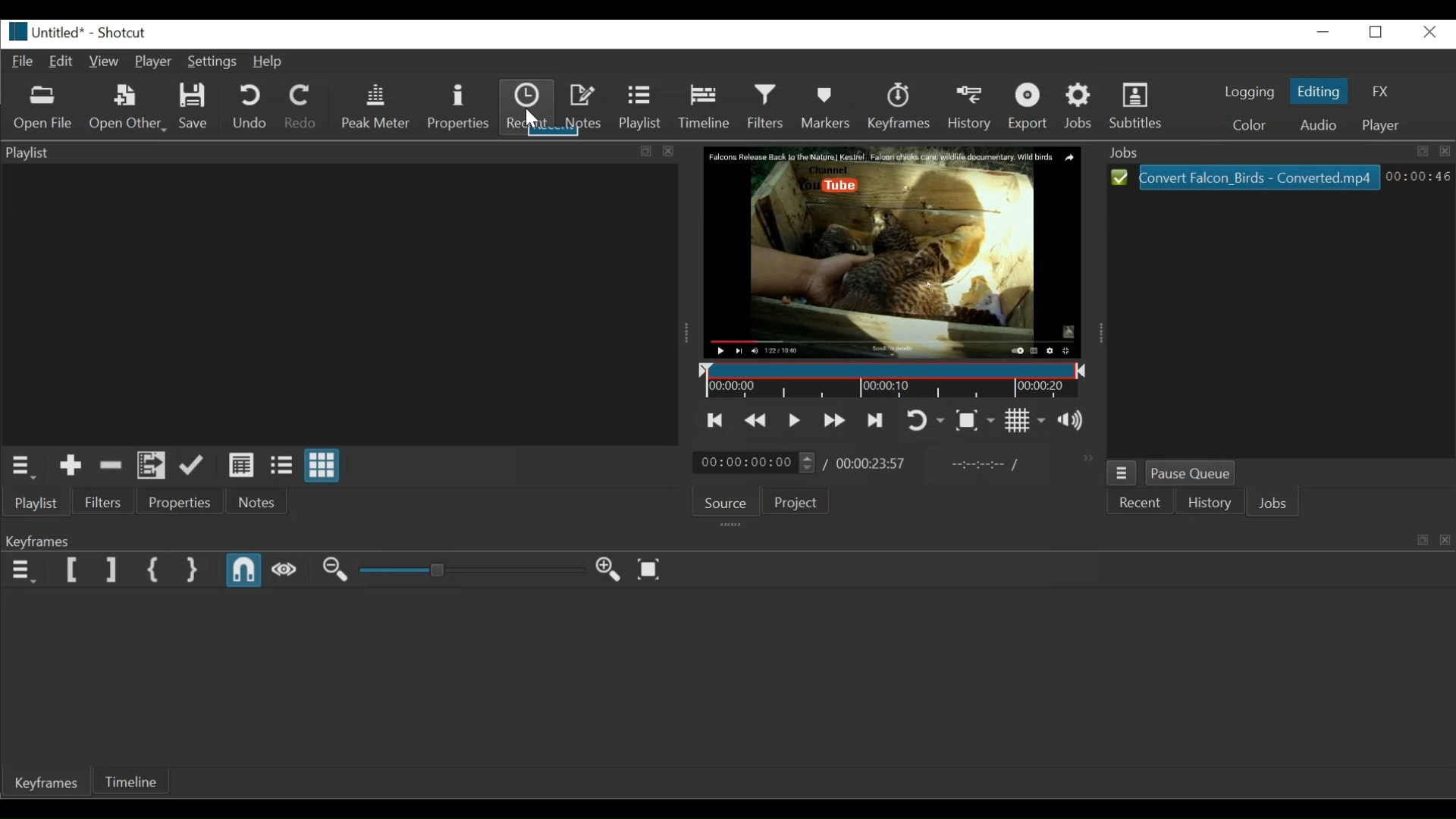  What do you see at coordinates (1418, 179) in the screenshot?
I see `Hours: Minutes: Seconds` at bounding box center [1418, 179].